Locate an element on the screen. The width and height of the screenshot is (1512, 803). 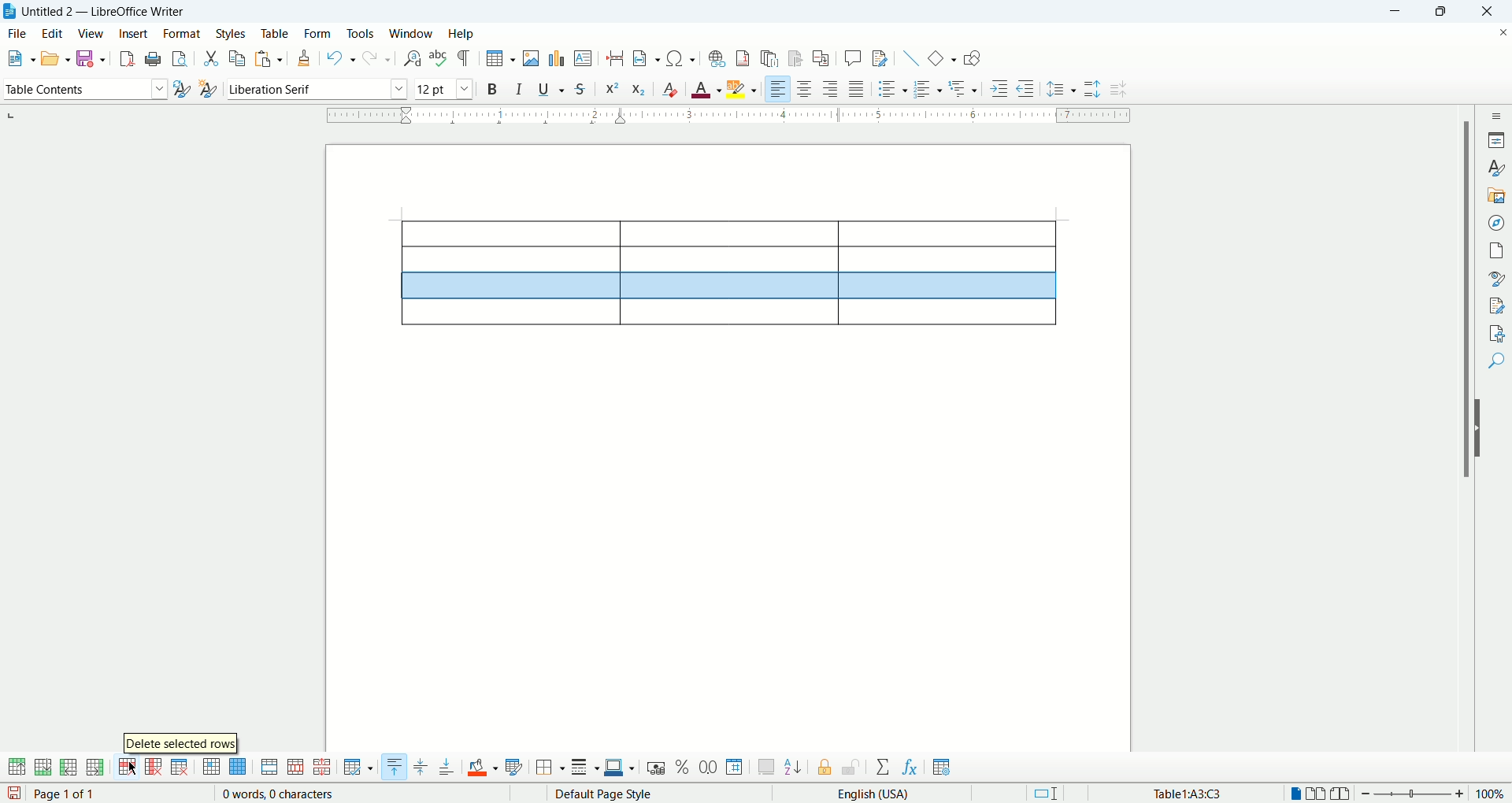
save is located at coordinates (92, 60).